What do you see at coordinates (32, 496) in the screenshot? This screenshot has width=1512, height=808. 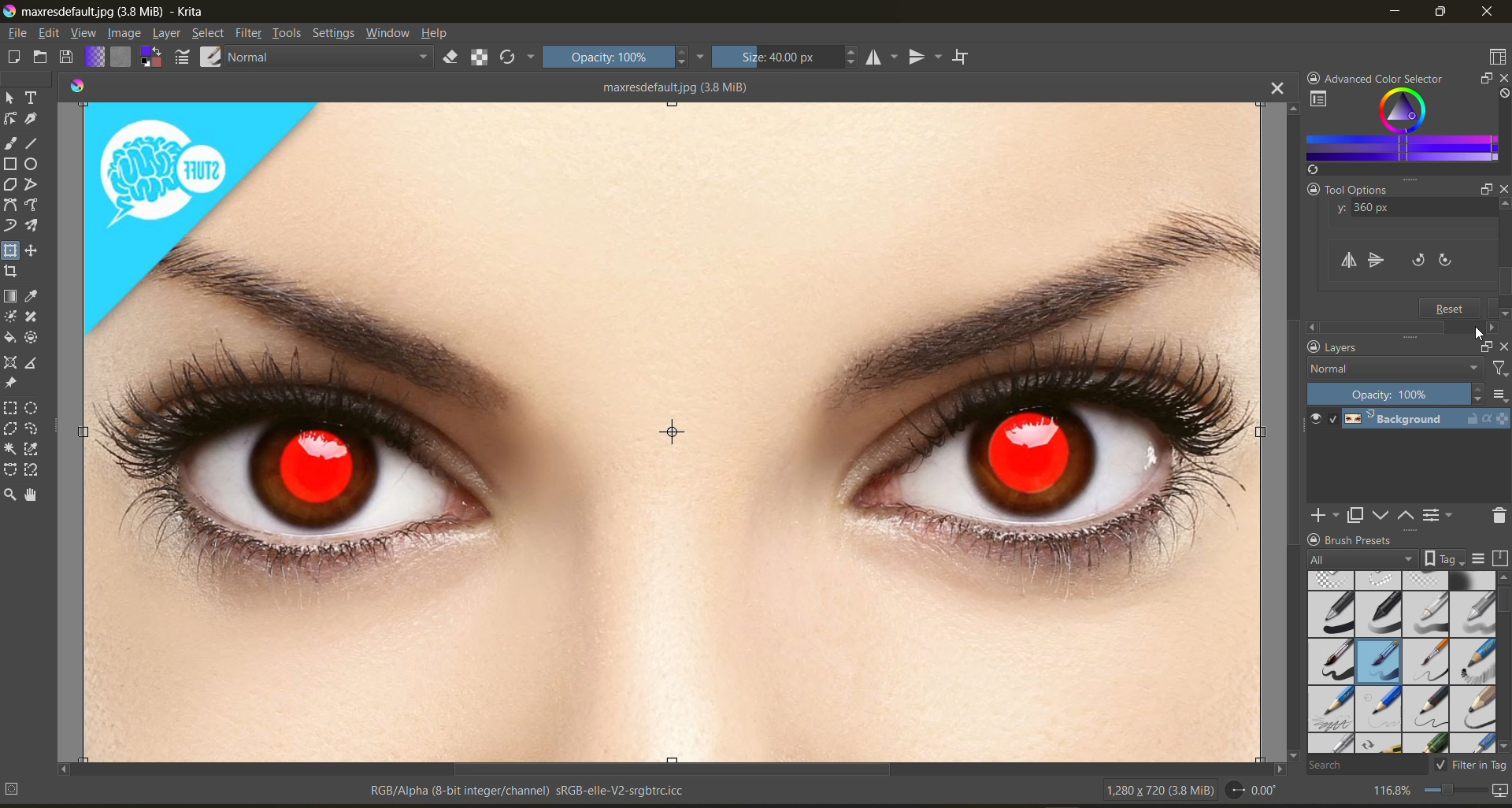 I see `tool` at bounding box center [32, 496].